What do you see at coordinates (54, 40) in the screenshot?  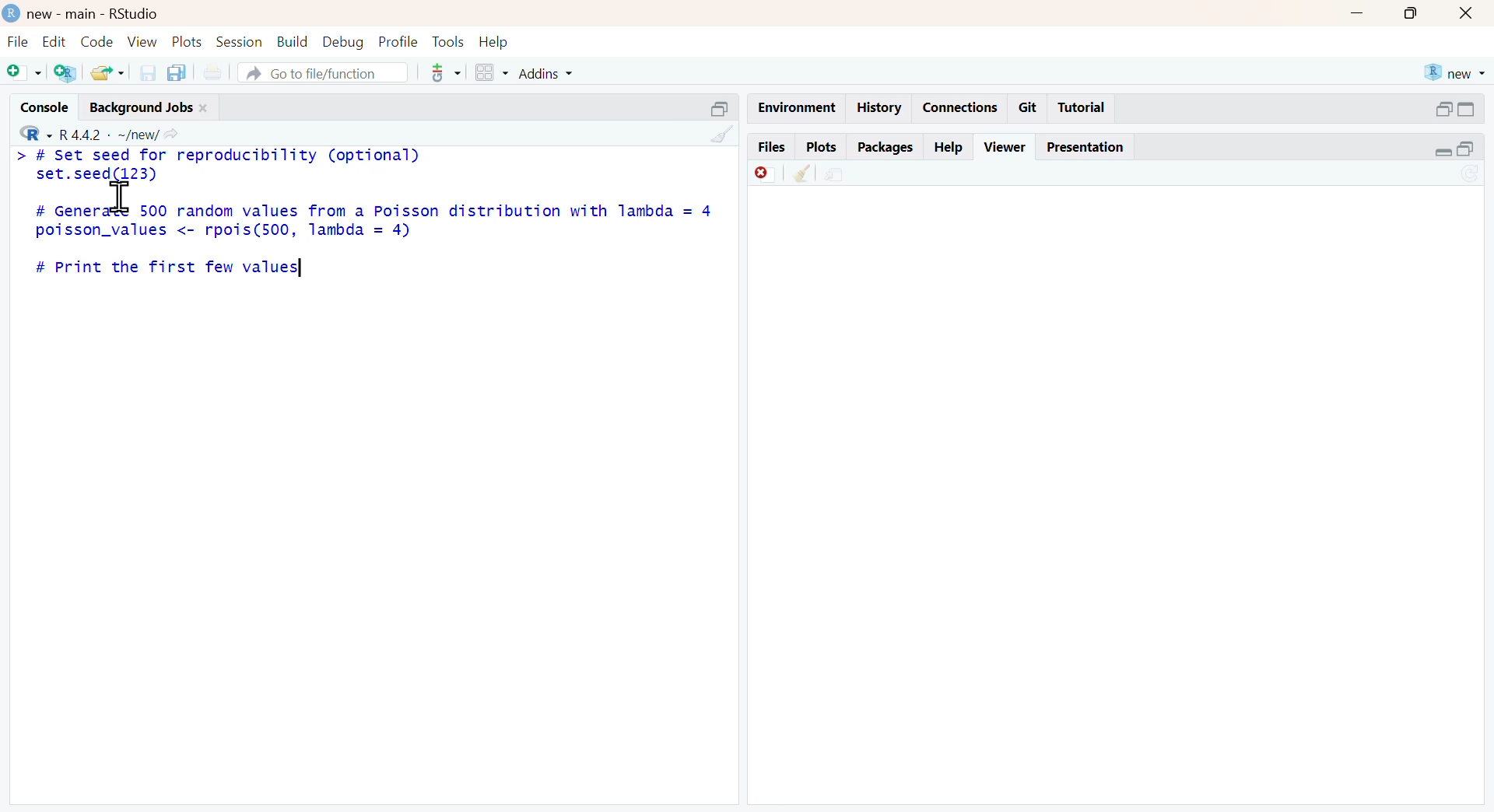 I see `edit` at bounding box center [54, 40].